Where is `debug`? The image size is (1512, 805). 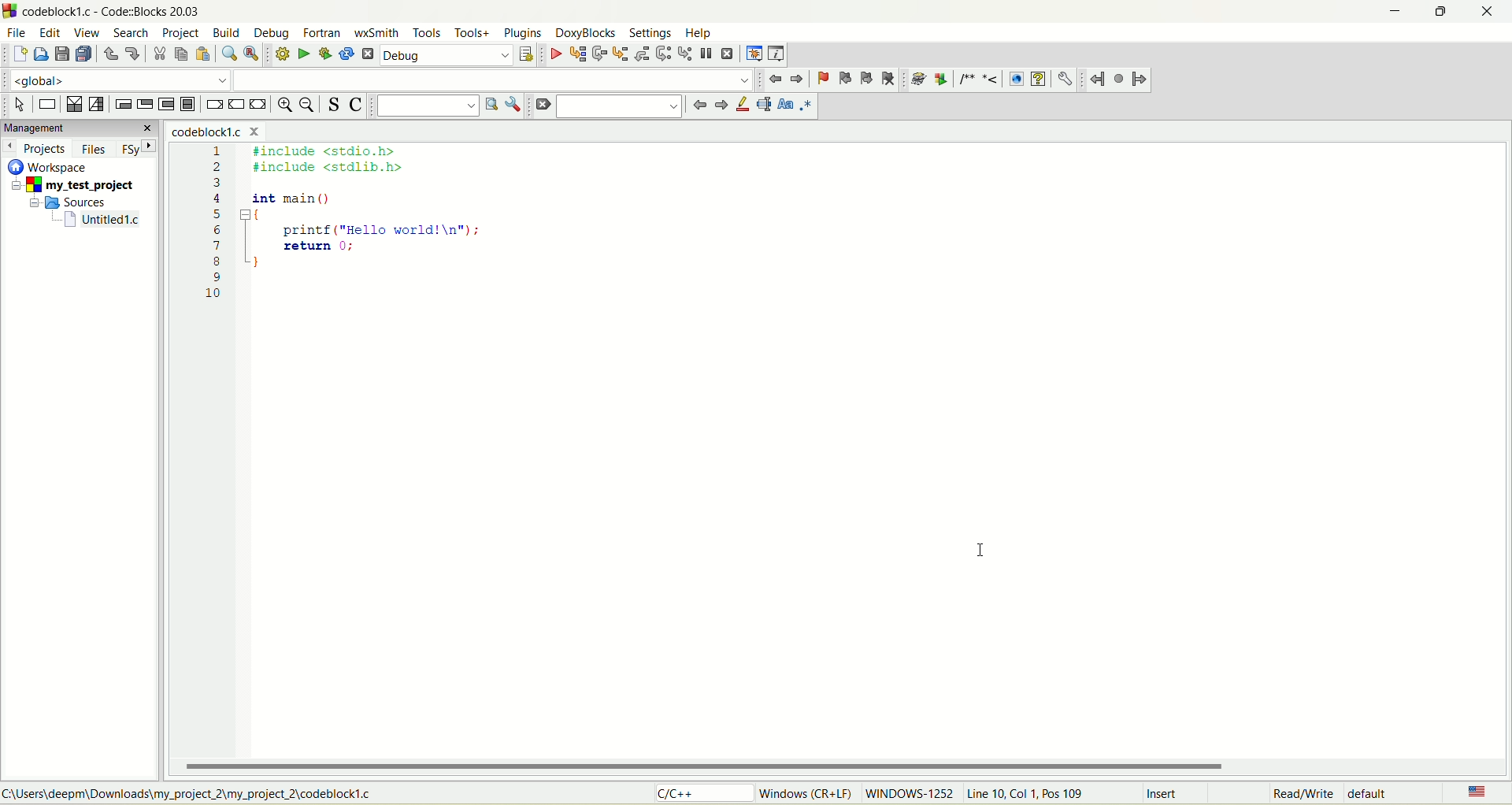
debug is located at coordinates (555, 55).